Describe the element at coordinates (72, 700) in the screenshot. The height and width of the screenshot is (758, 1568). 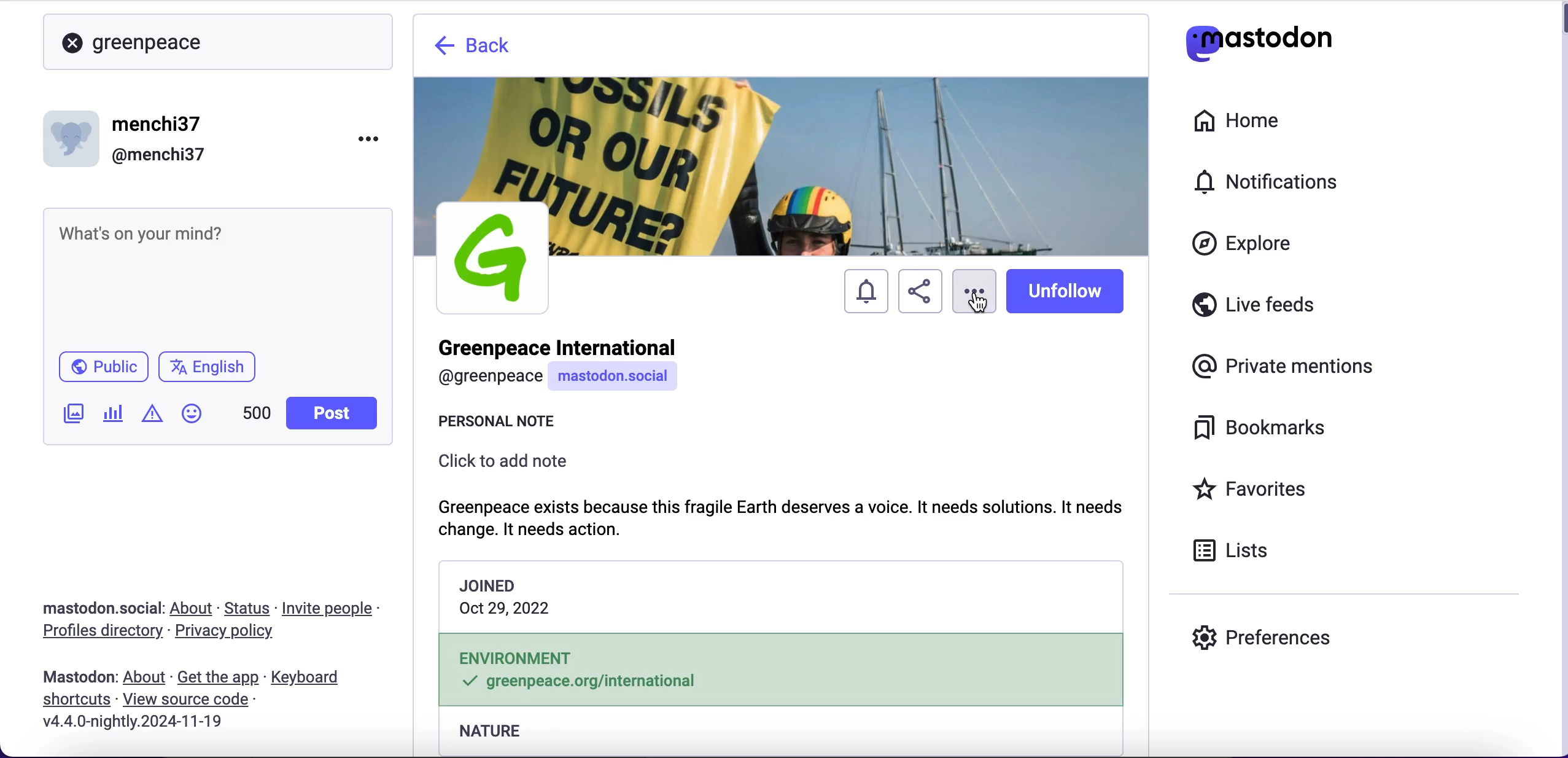
I see `shortcuts` at that location.